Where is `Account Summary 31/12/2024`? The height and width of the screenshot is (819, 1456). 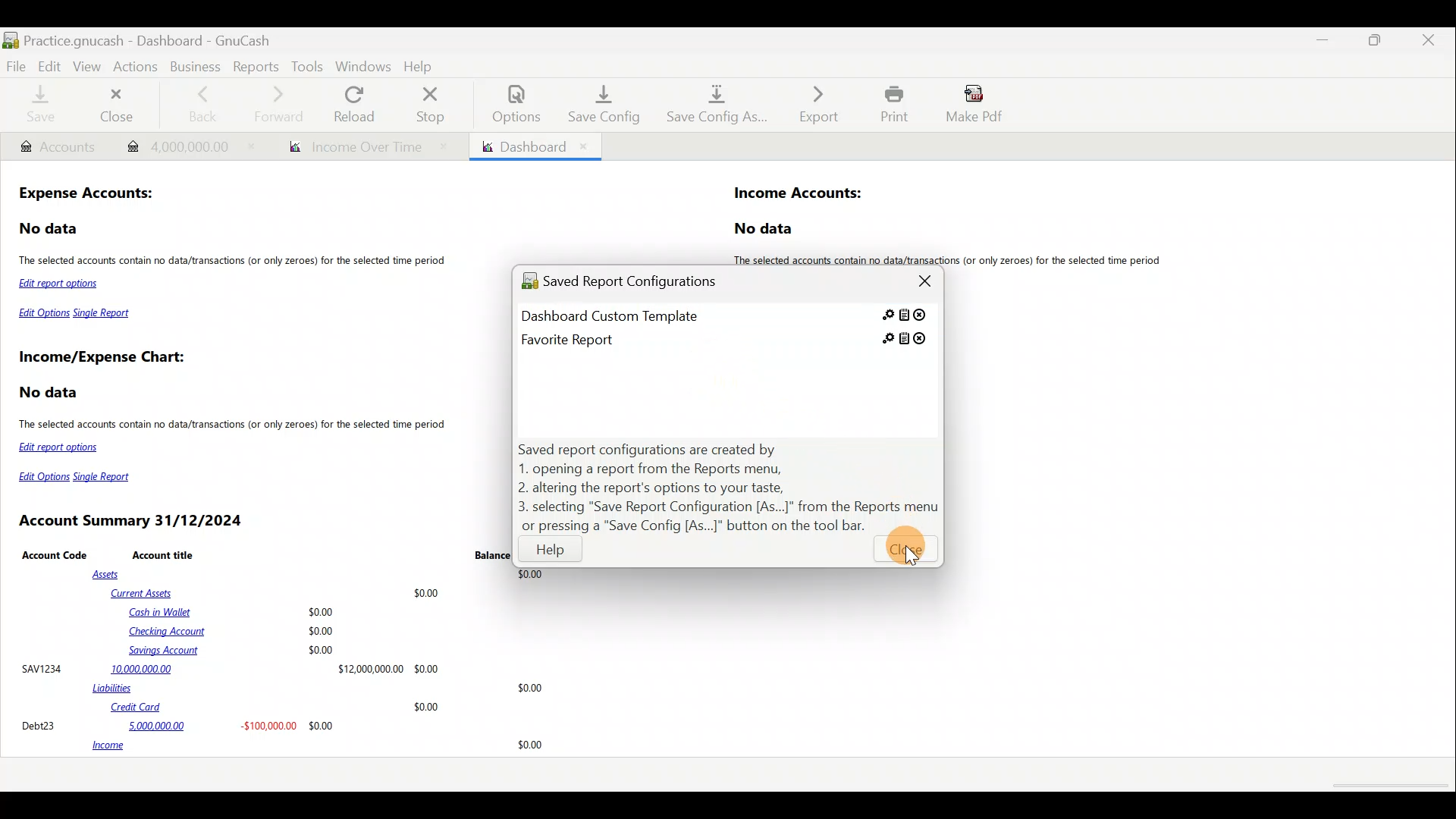
Account Summary 31/12/2024 is located at coordinates (133, 521).